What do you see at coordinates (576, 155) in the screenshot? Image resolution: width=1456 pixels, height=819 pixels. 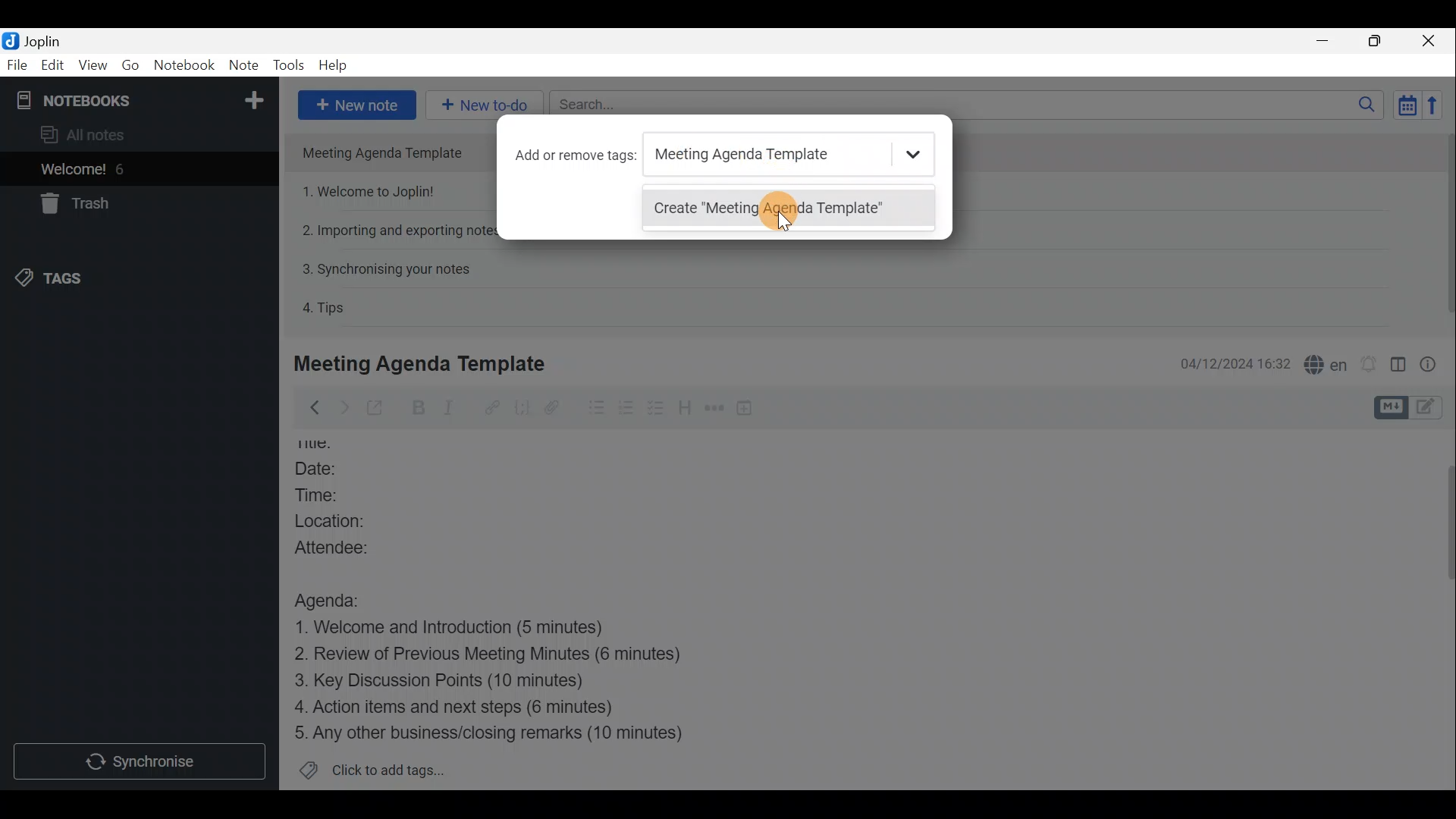 I see `Add or remove tags:` at bounding box center [576, 155].